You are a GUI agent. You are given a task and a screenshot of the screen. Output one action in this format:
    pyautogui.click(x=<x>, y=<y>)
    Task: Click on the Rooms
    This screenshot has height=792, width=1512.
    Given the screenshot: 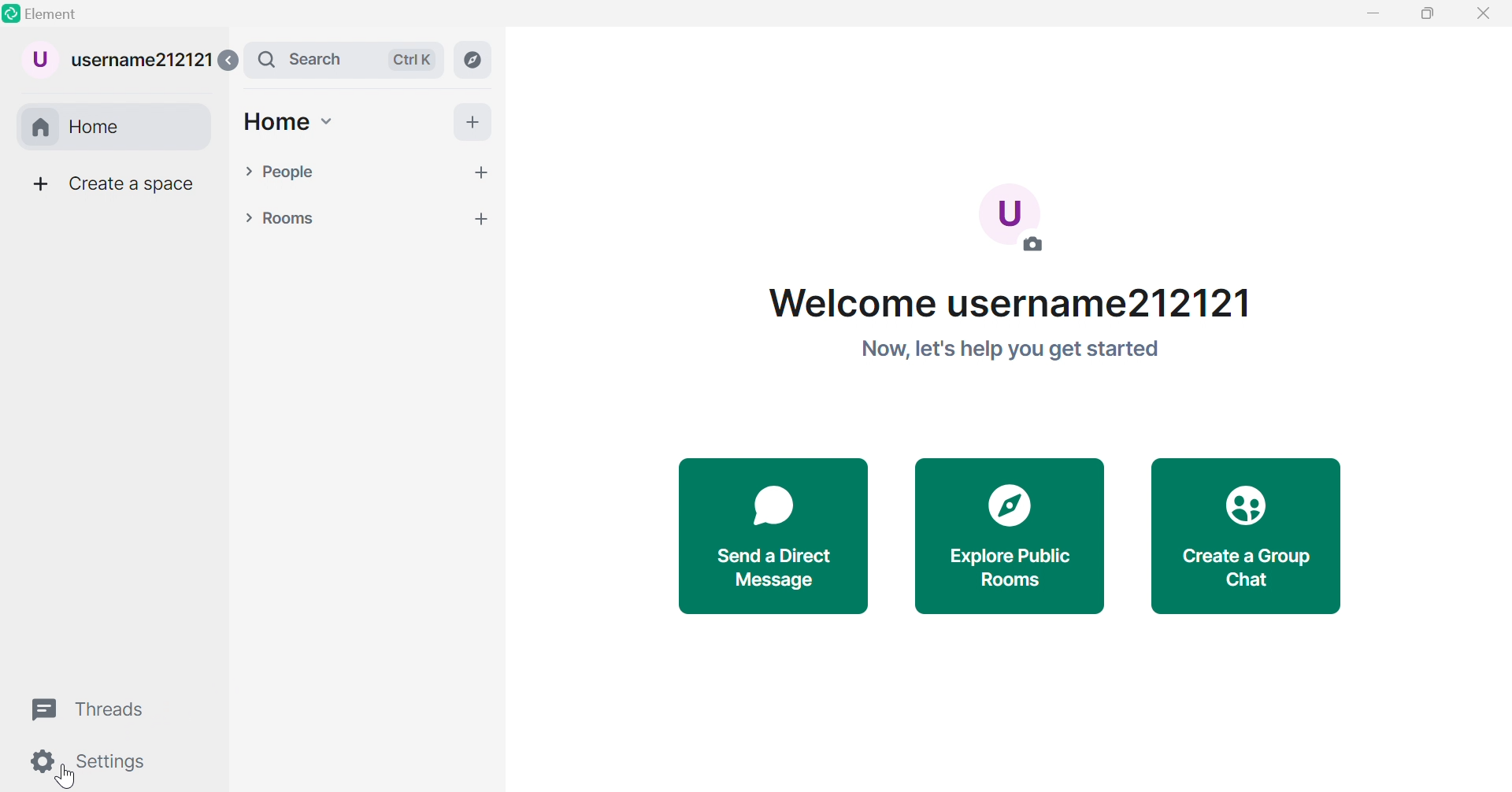 What is the action you would take?
    pyautogui.click(x=279, y=220)
    